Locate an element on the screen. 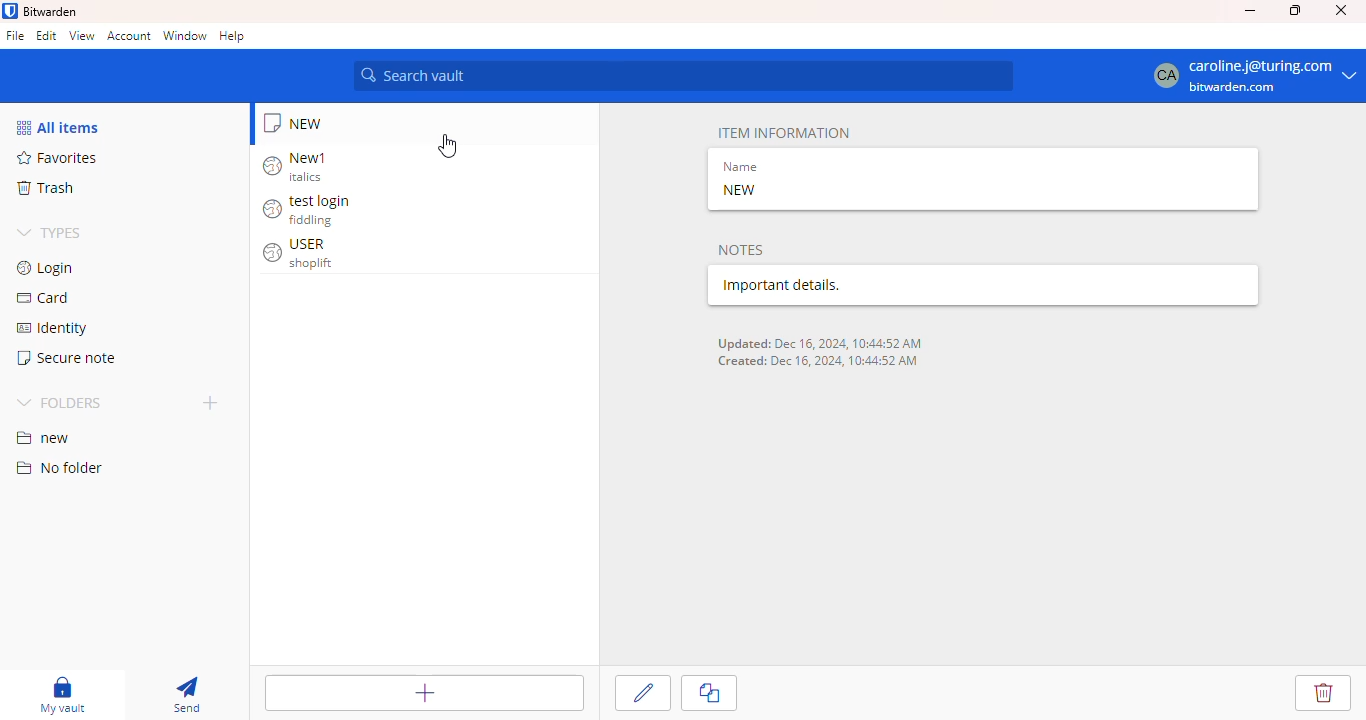  clone is located at coordinates (710, 692).